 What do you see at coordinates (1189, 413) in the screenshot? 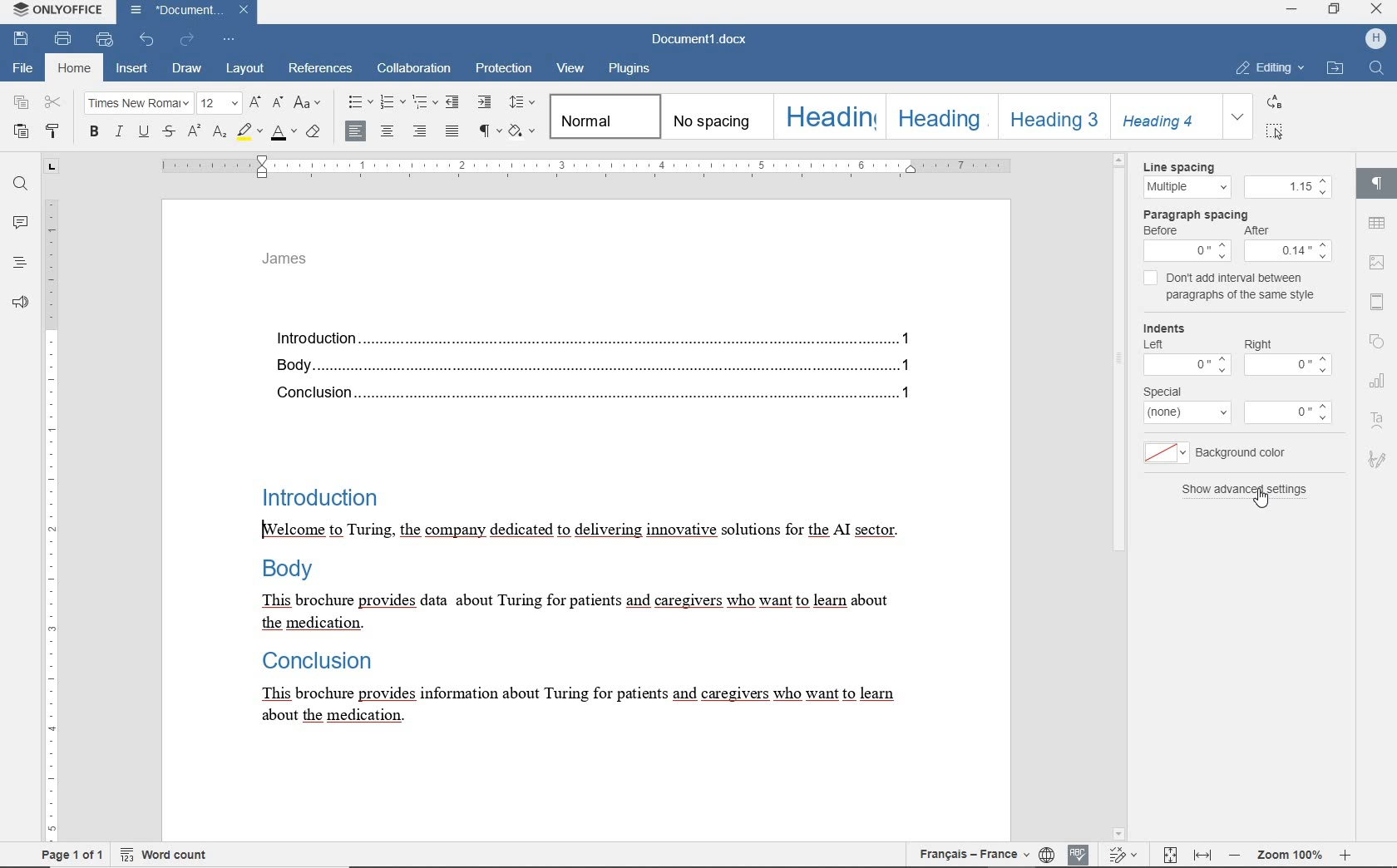
I see `more options` at bounding box center [1189, 413].